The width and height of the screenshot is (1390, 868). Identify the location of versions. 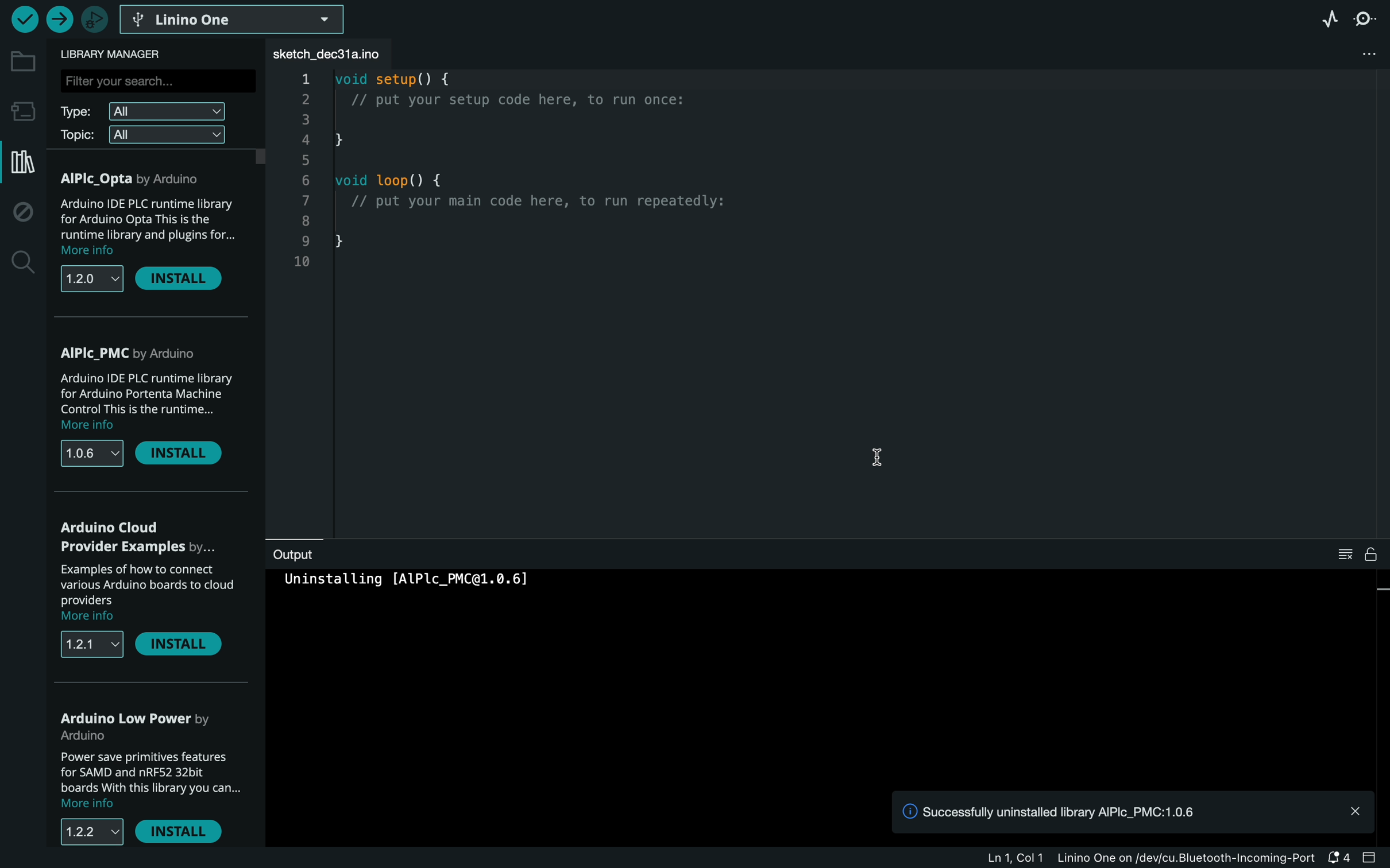
(88, 839).